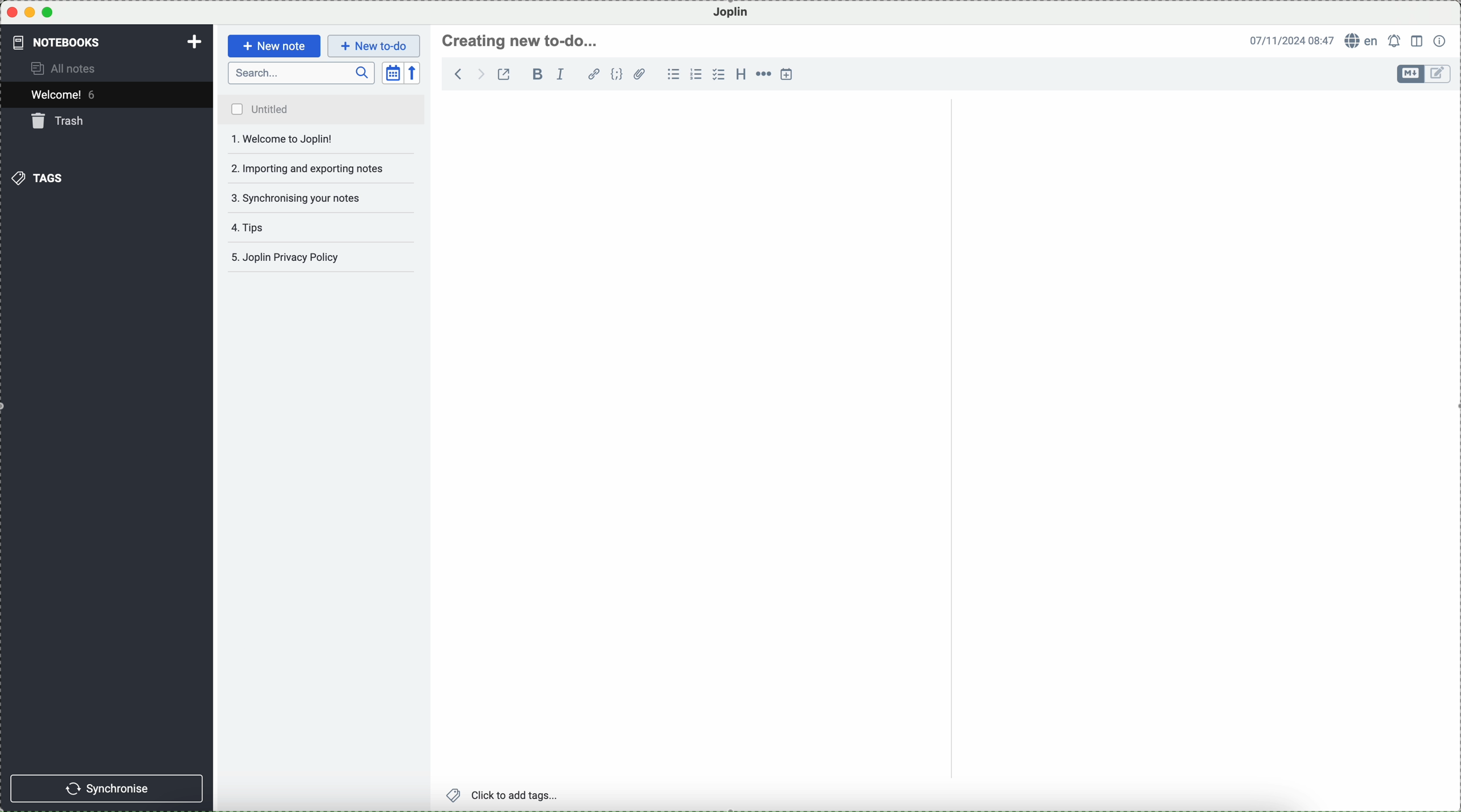  I want to click on notebooks tab, so click(66, 42).